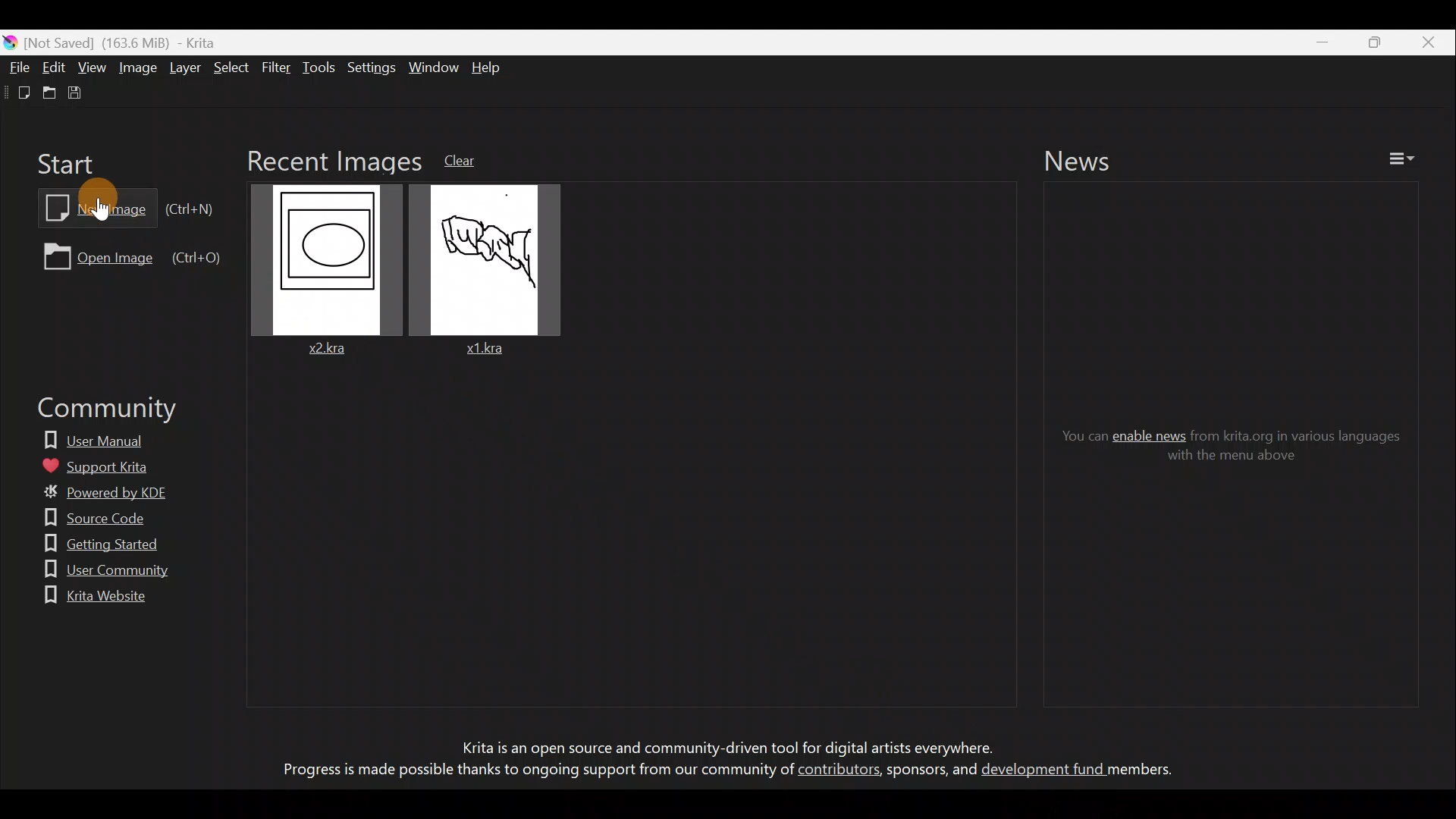  What do you see at coordinates (718, 762) in the screenshot?
I see `Krita is an open source and community driven tool for digital artists everywhere. Progress is made possible, thanks to ongoing support from our community of contributors, sponsors and development fund members` at bounding box center [718, 762].